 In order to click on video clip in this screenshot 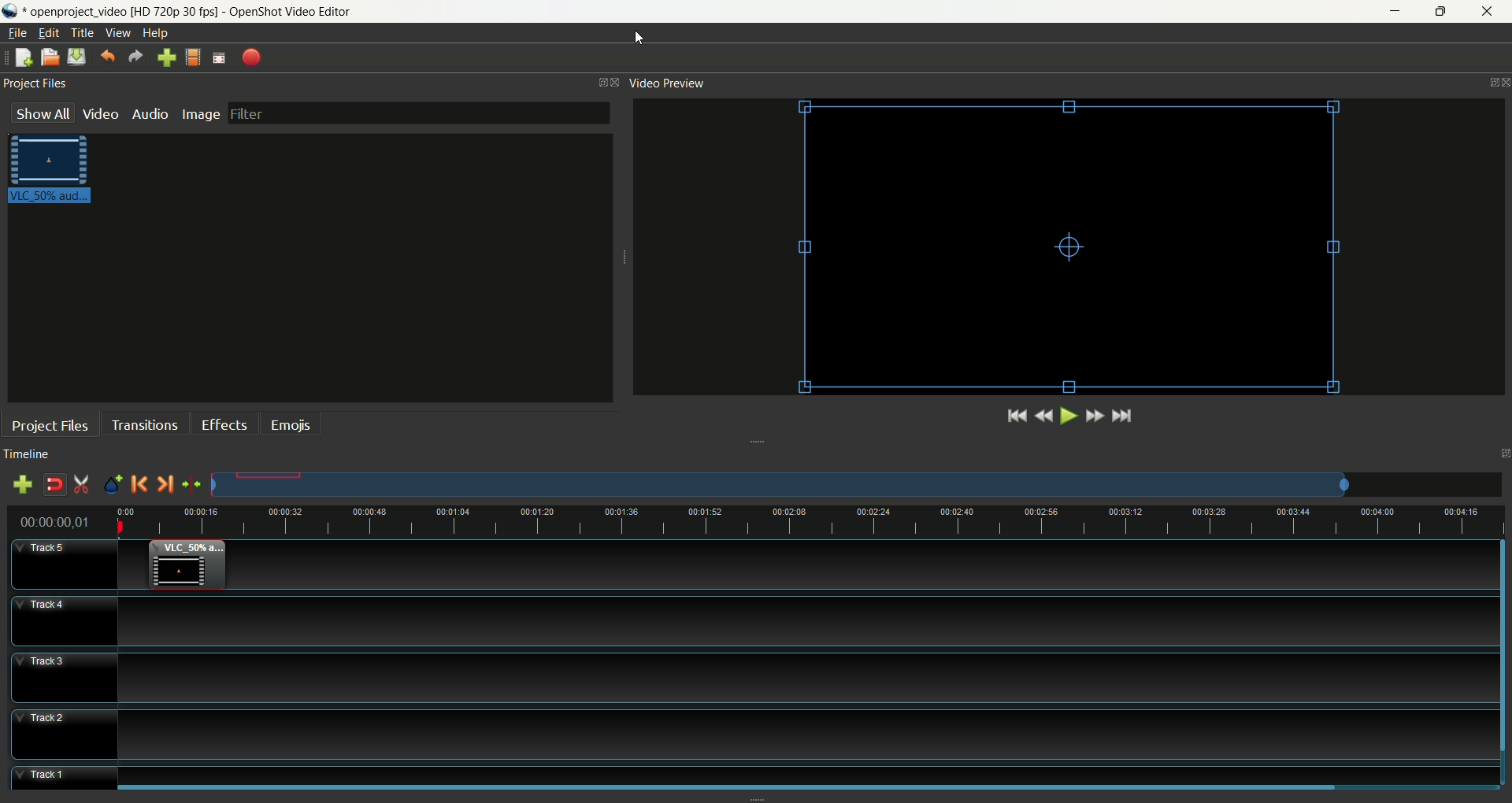, I will do `click(191, 569)`.